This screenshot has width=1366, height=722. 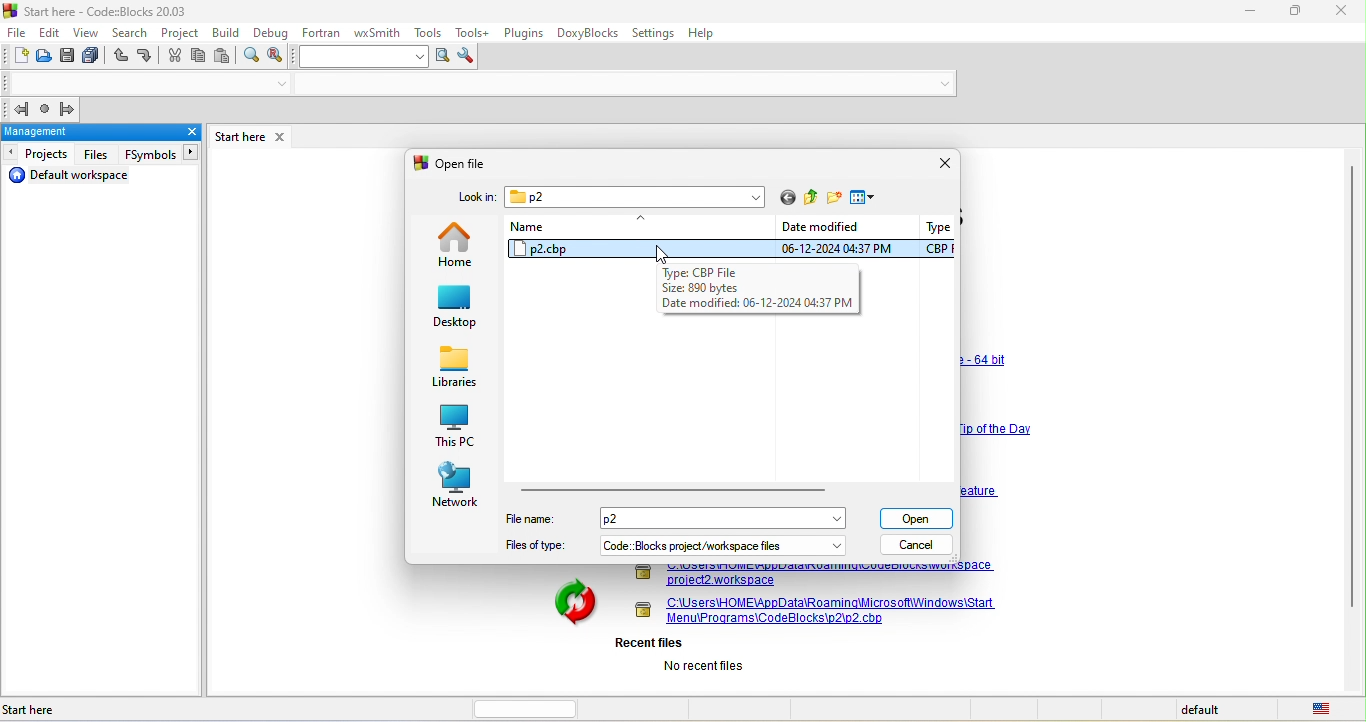 What do you see at coordinates (460, 310) in the screenshot?
I see `desktop` at bounding box center [460, 310].